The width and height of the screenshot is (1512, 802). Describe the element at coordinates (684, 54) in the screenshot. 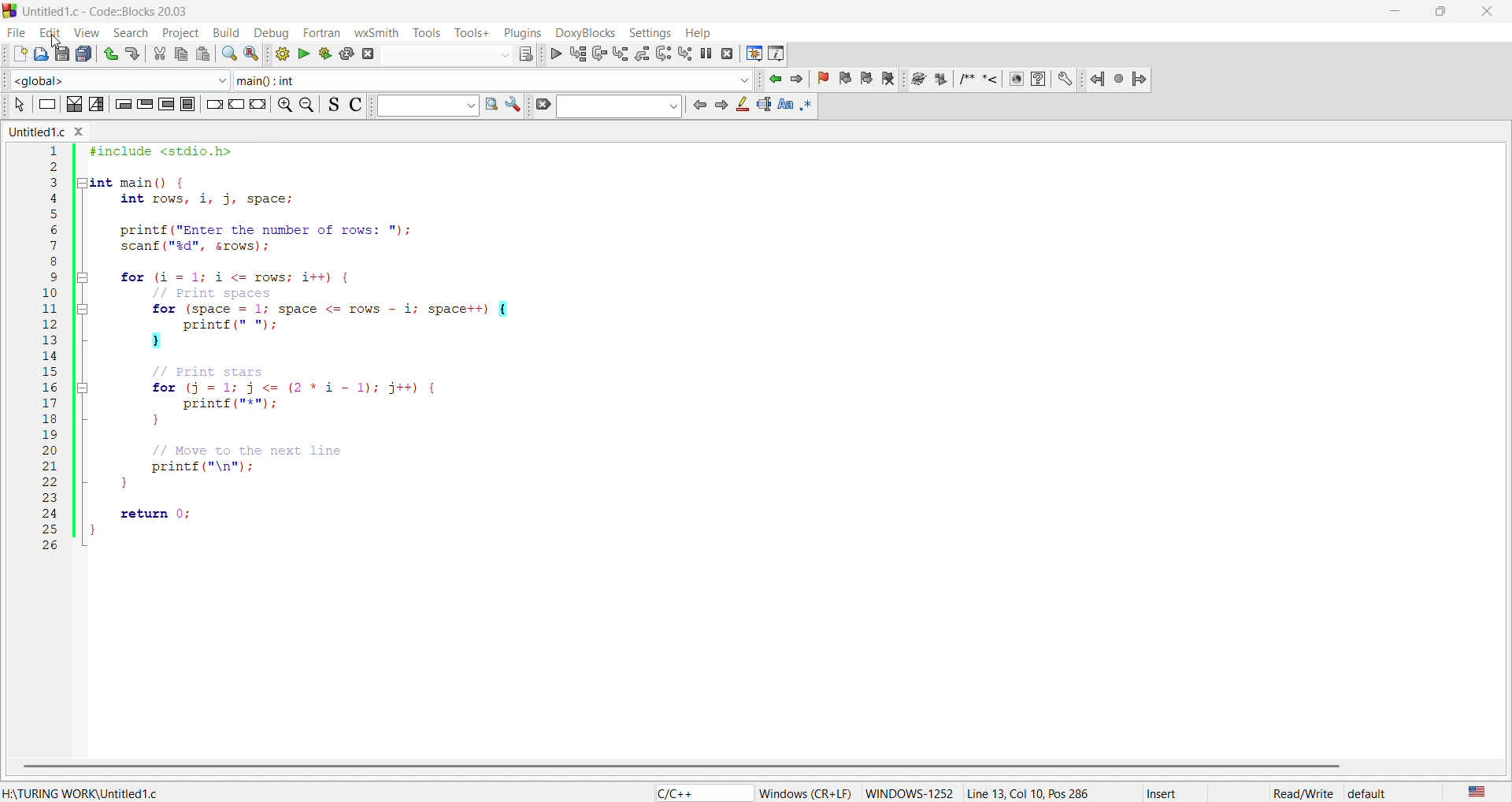

I see `step into instruction` at that location.